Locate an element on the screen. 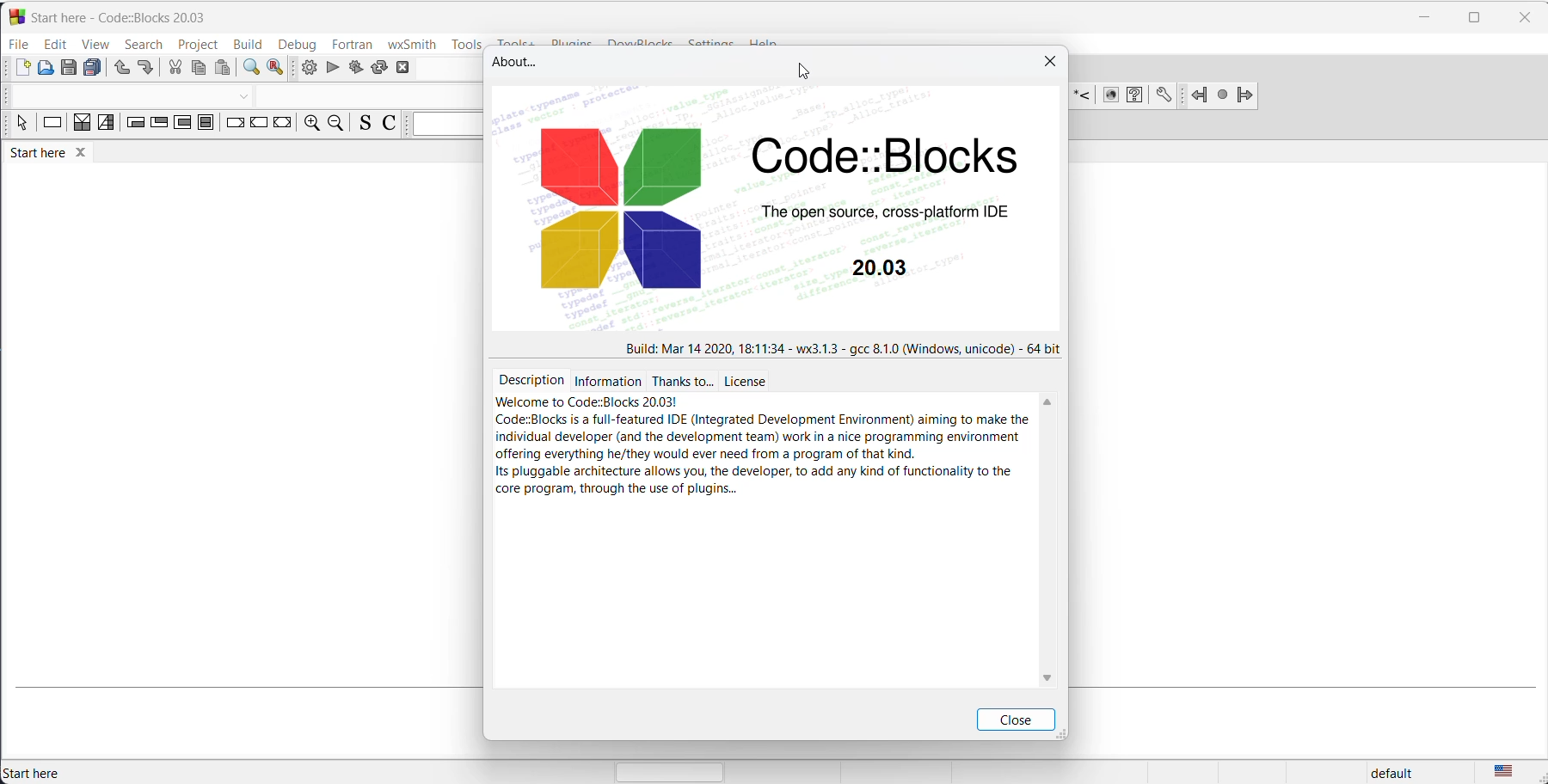  zoom in is located at coordinates (311, 125).